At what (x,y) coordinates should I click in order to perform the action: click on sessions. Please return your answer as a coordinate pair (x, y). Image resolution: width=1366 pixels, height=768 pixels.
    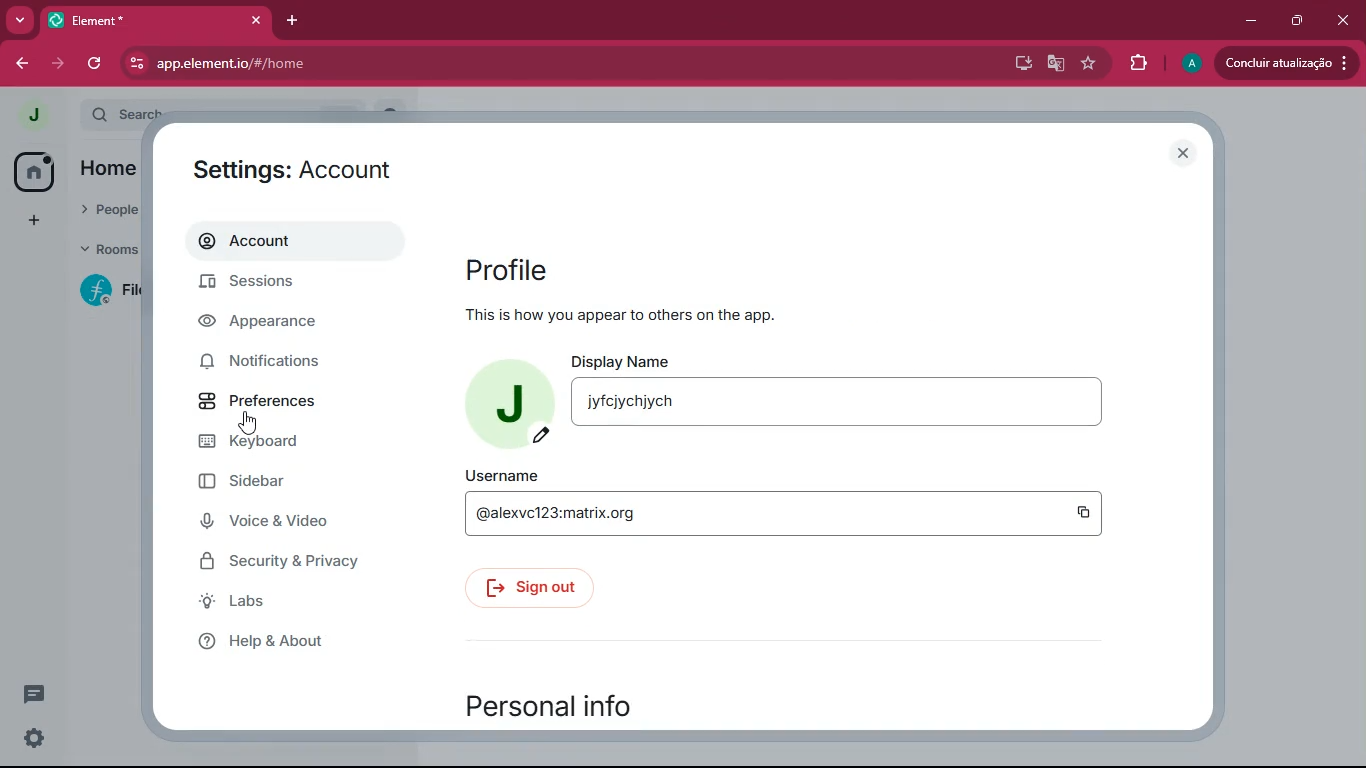
    Looking at the image, I should click on (282, 284).